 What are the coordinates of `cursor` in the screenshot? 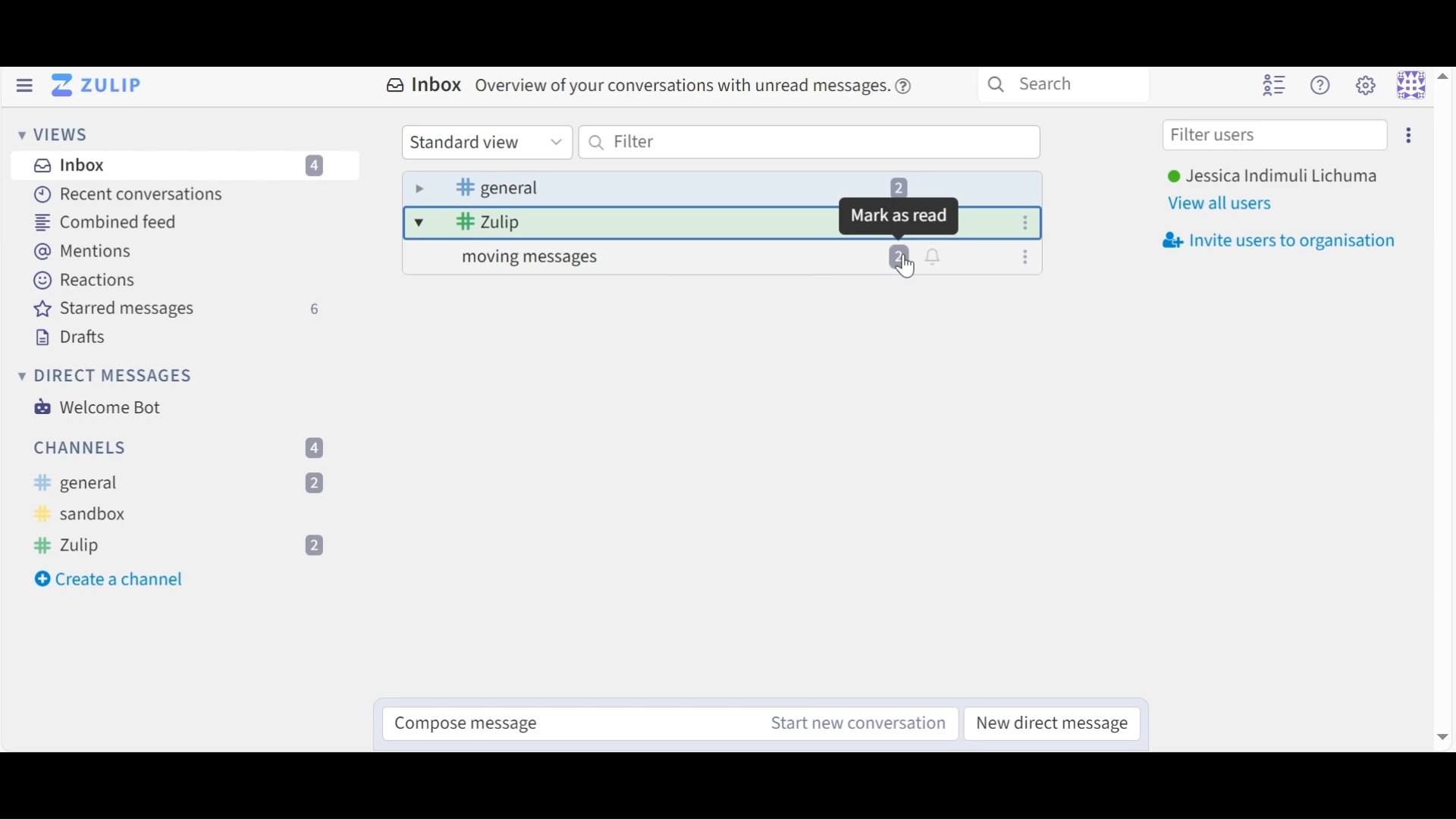 It's located at (912, 275).